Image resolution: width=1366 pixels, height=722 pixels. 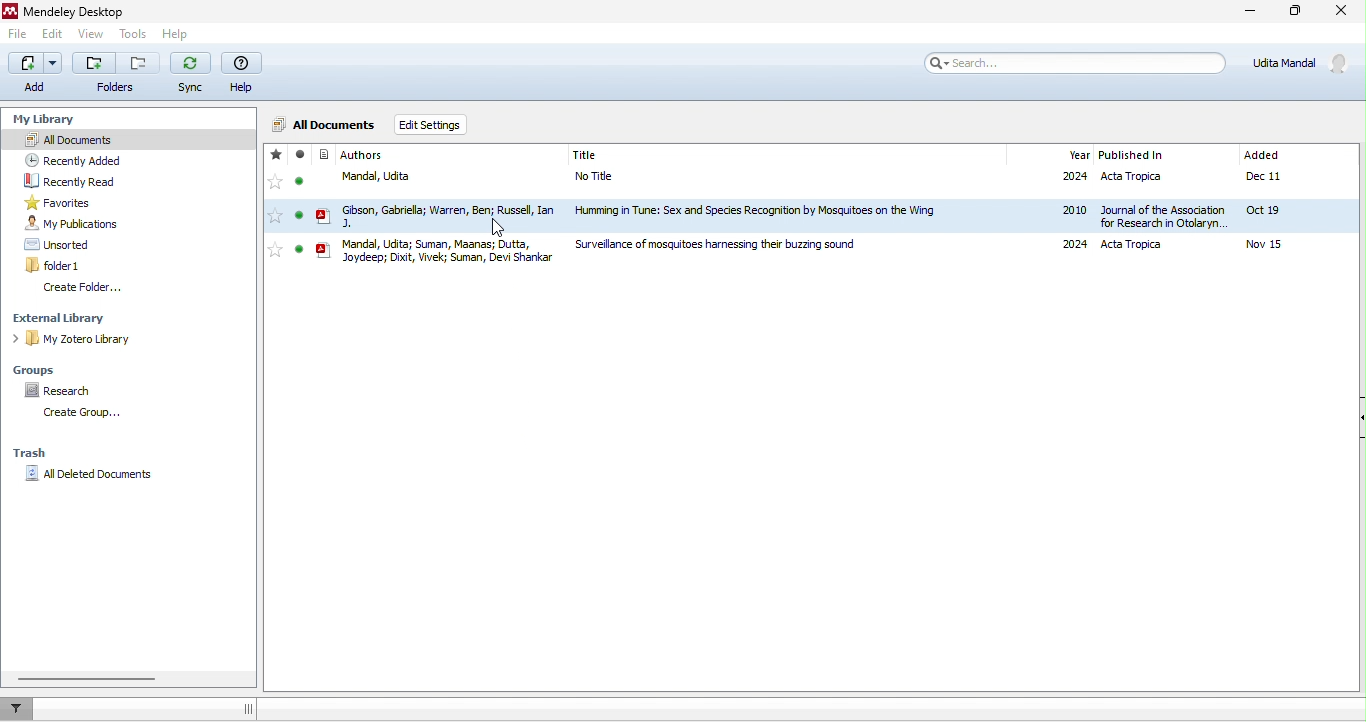 What do you see at coordinates (95, 479) in the screenshot?
I see `all deleted documents` at bounding box center [95, 479].